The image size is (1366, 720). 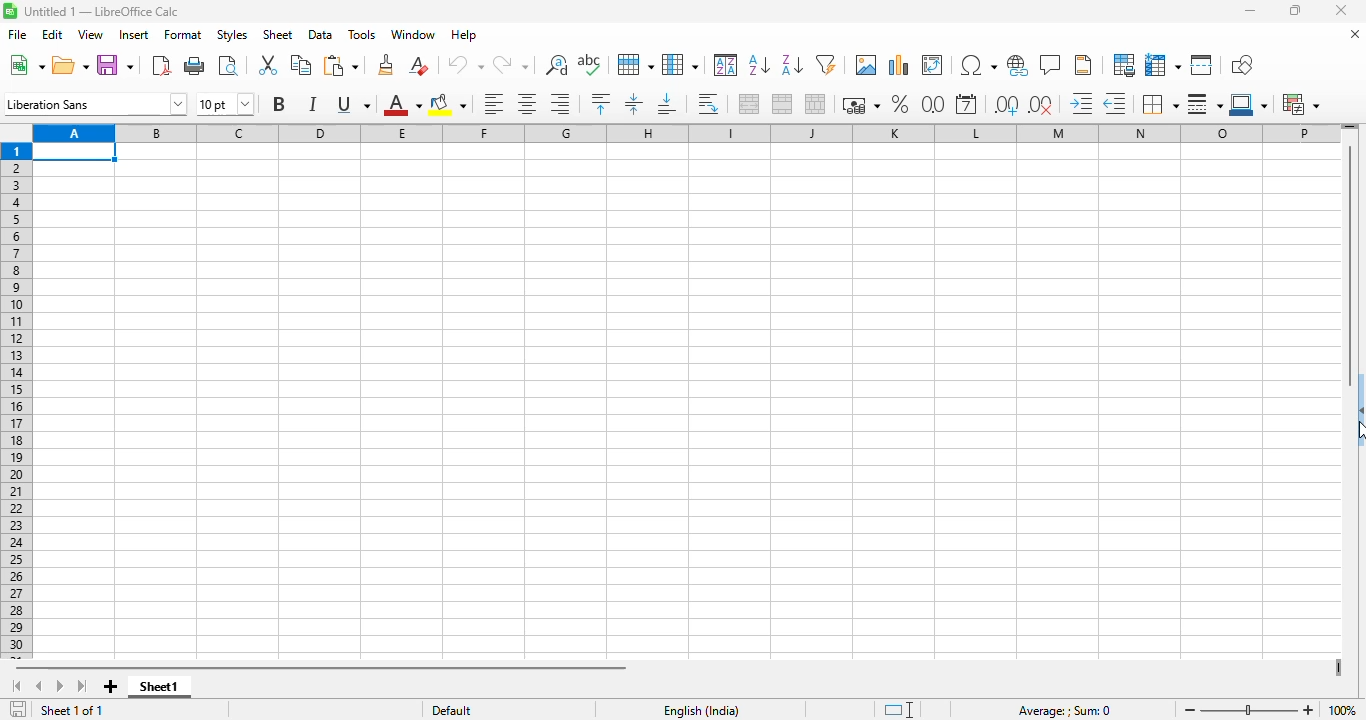 What do you see at coordinates (465, 65) in the screenshot?
I see `undo` at bounding box center [465, 65].